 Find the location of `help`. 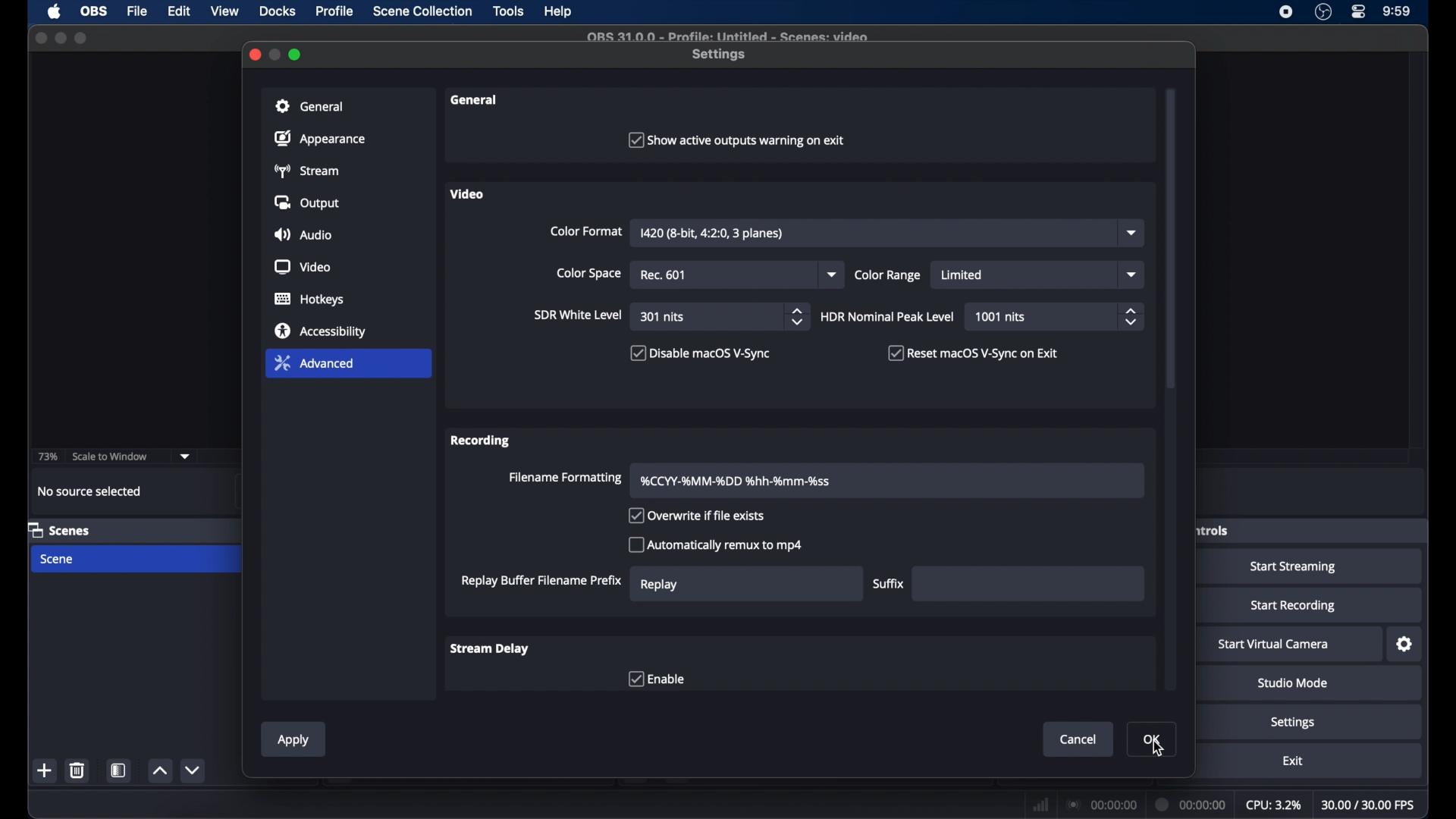

help is located at coordinates (559, 12).